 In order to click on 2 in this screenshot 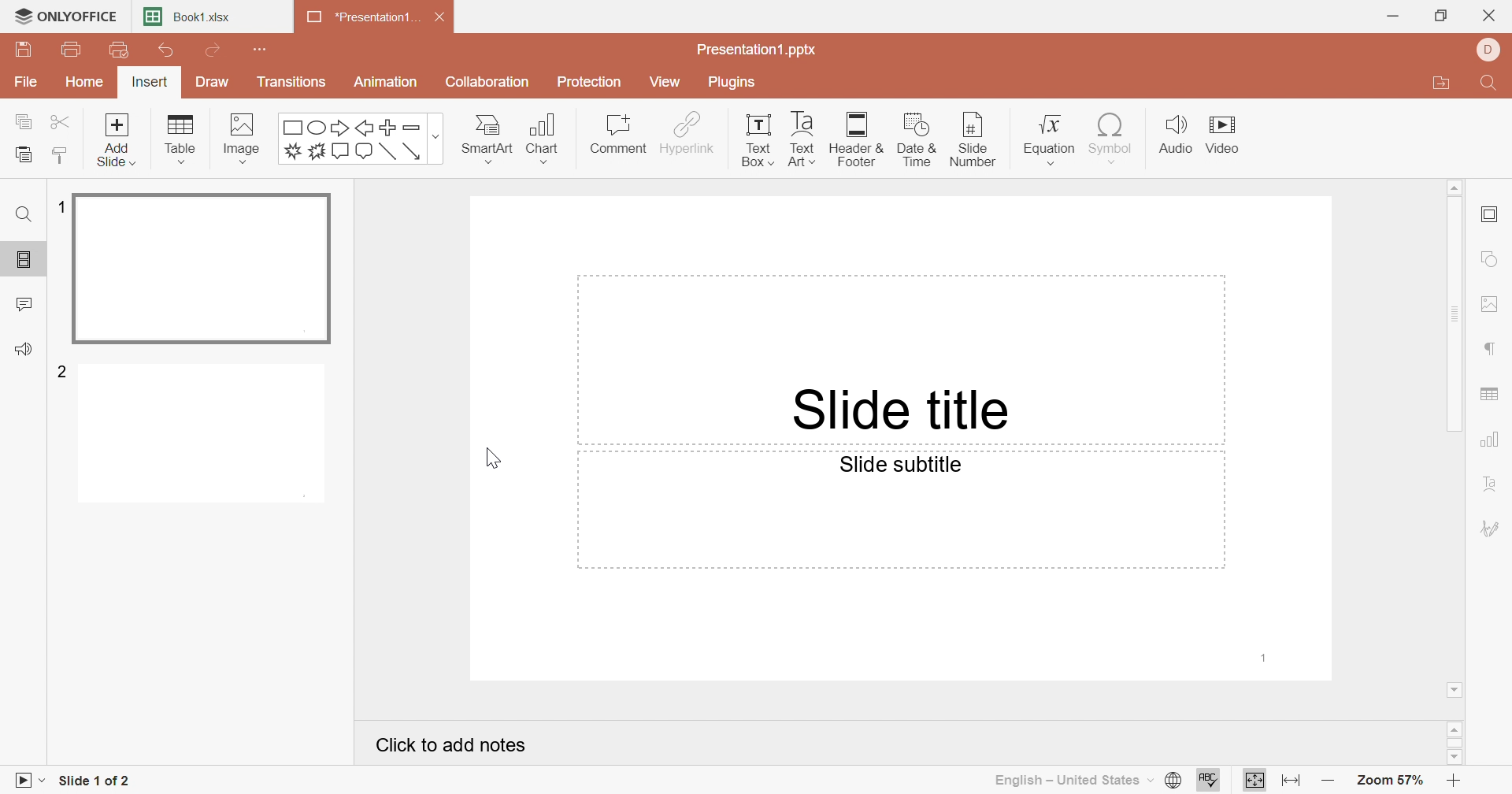, I will do `click(64, 370)`.